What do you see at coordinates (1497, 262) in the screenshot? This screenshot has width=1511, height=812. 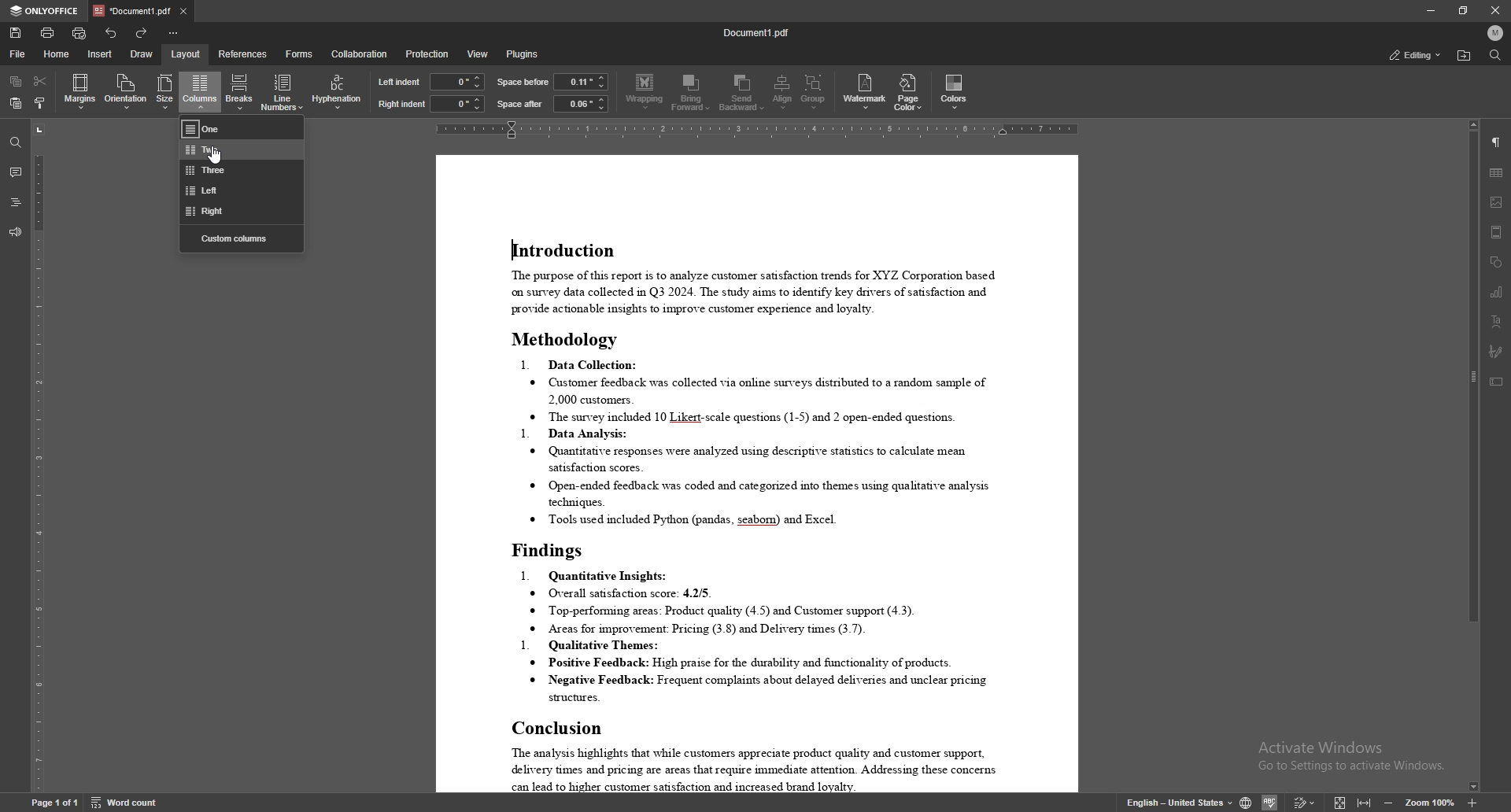 I see `shapes` at bounding box center [1497, 262].